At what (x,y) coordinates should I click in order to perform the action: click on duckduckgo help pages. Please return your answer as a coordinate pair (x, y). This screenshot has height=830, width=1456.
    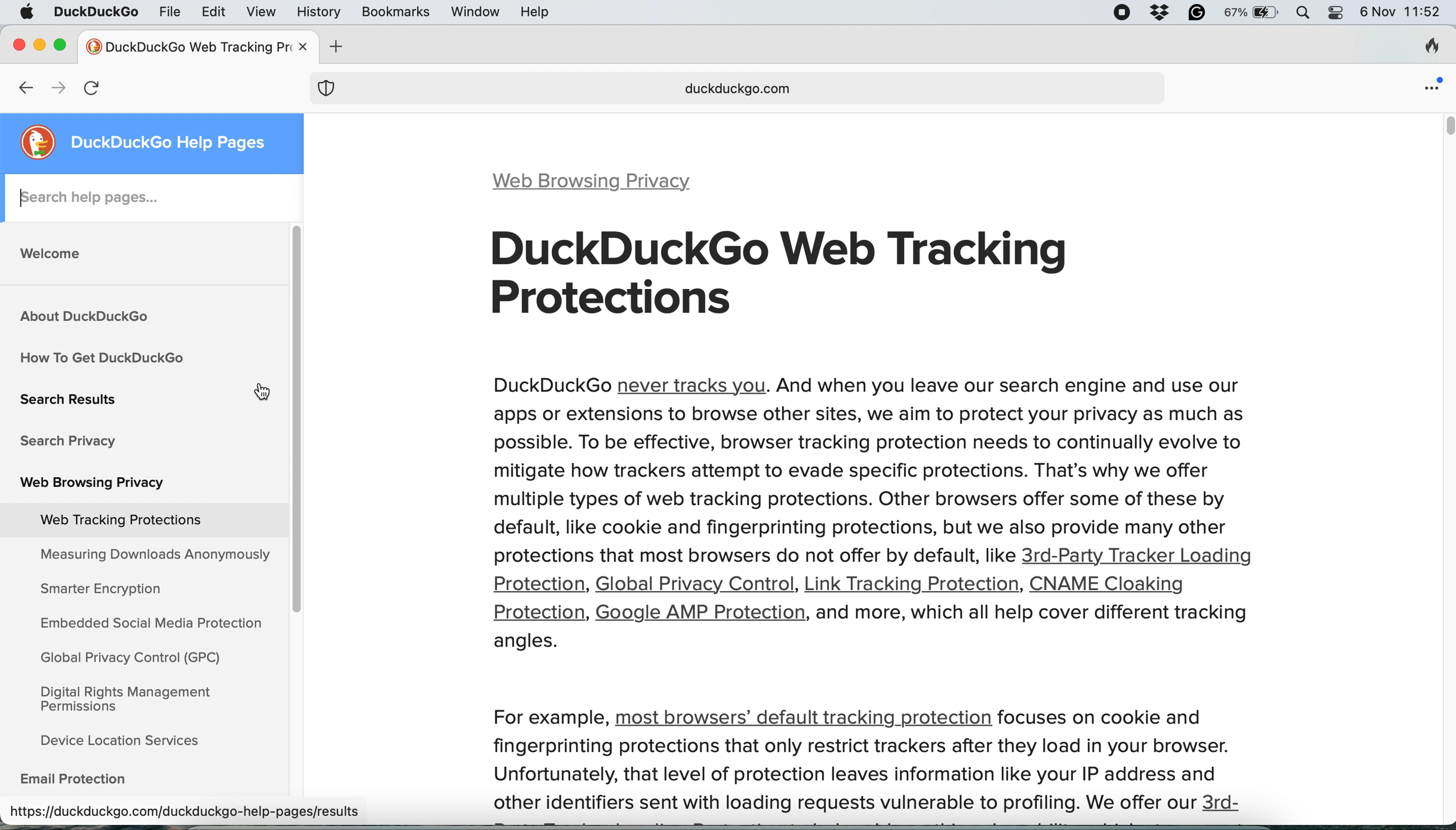
    Looking at the image, I should click on (162, 143).